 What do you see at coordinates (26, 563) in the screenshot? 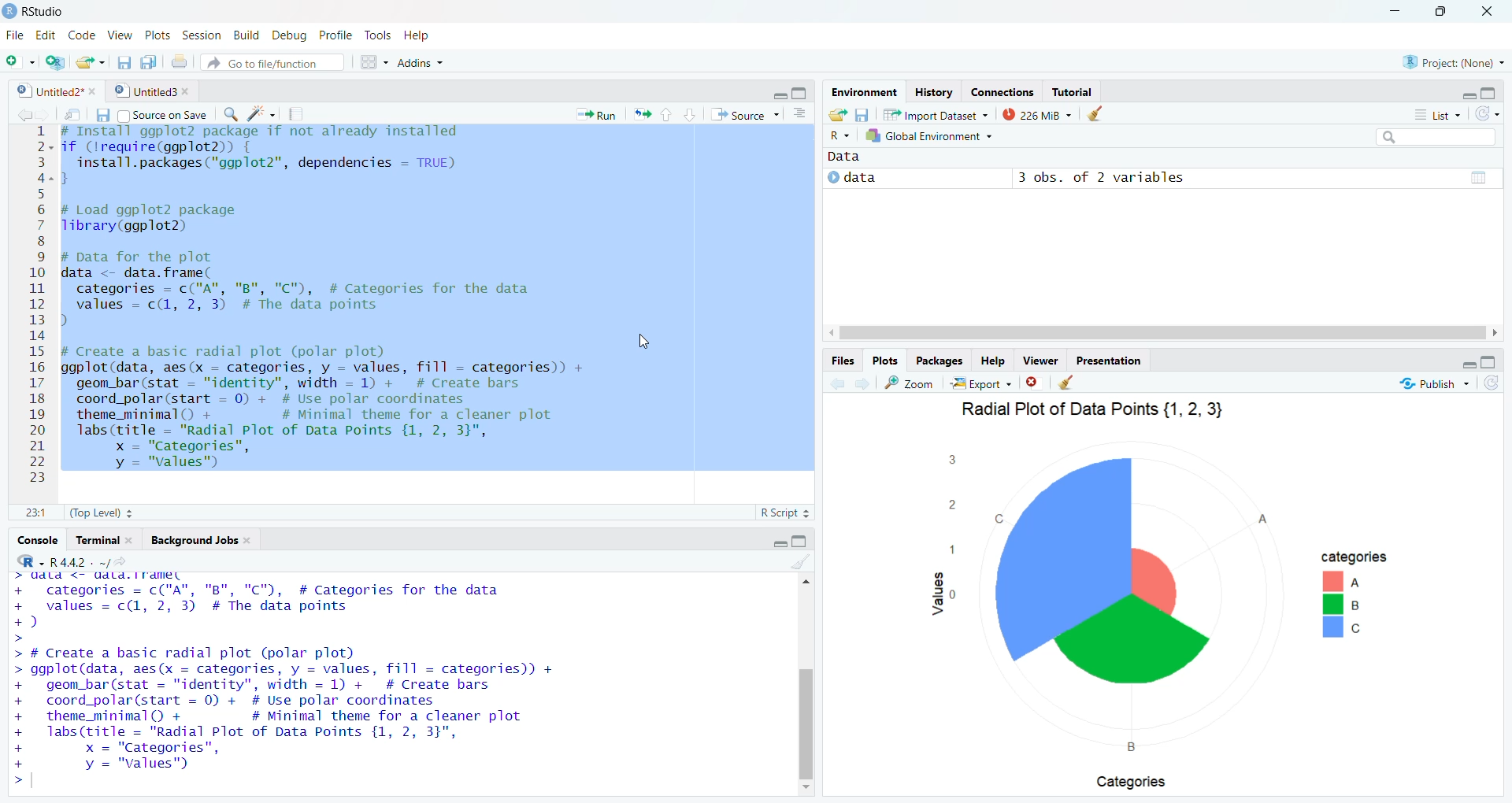
I see `R` at bounding box center [26, 563].